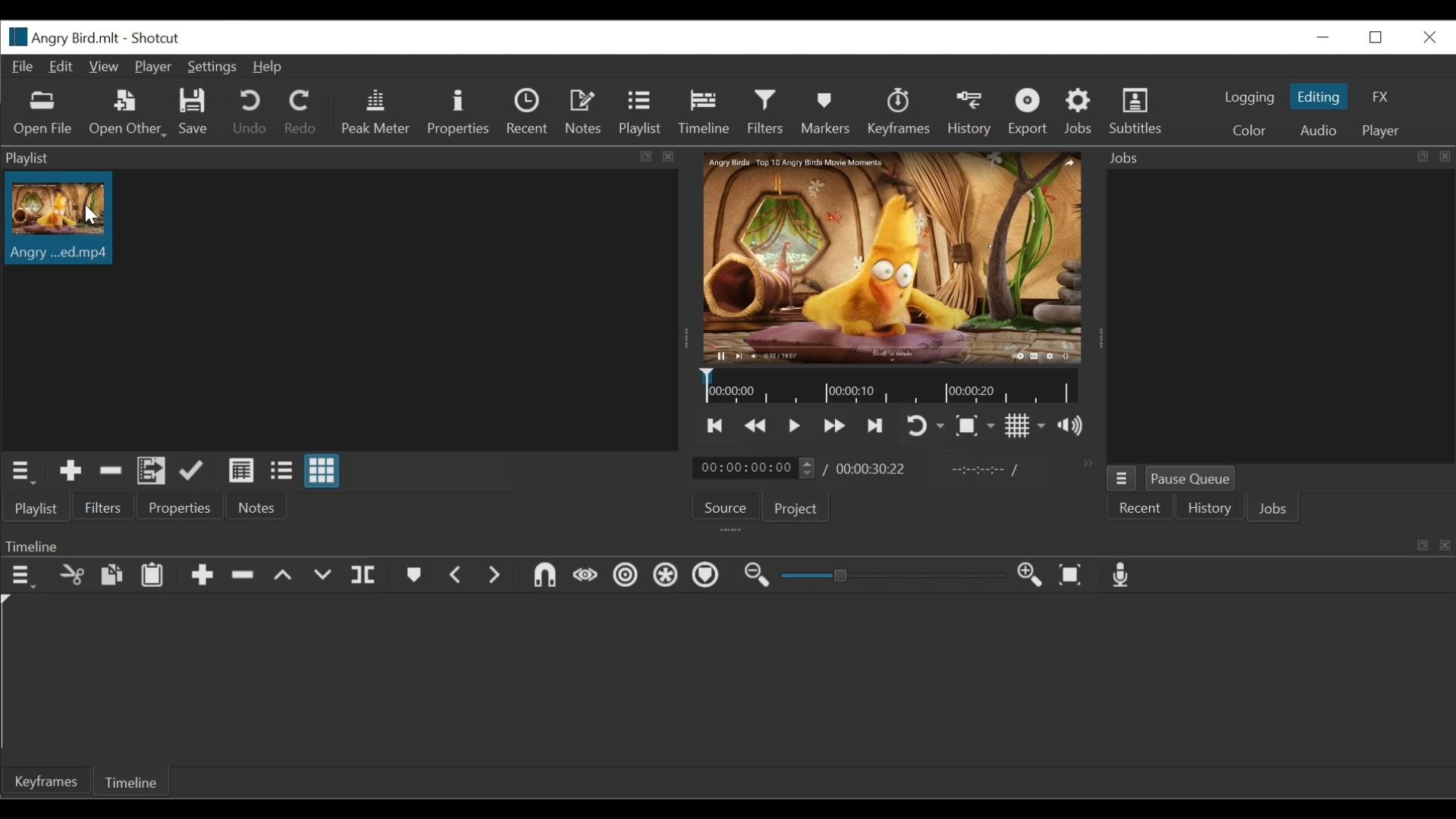 The width and height of the screenshot is (1456, 819). What do you see at coordinates (157, 39) in the screenshot?
I see `Shotcut` at bounding box center [157, 39].